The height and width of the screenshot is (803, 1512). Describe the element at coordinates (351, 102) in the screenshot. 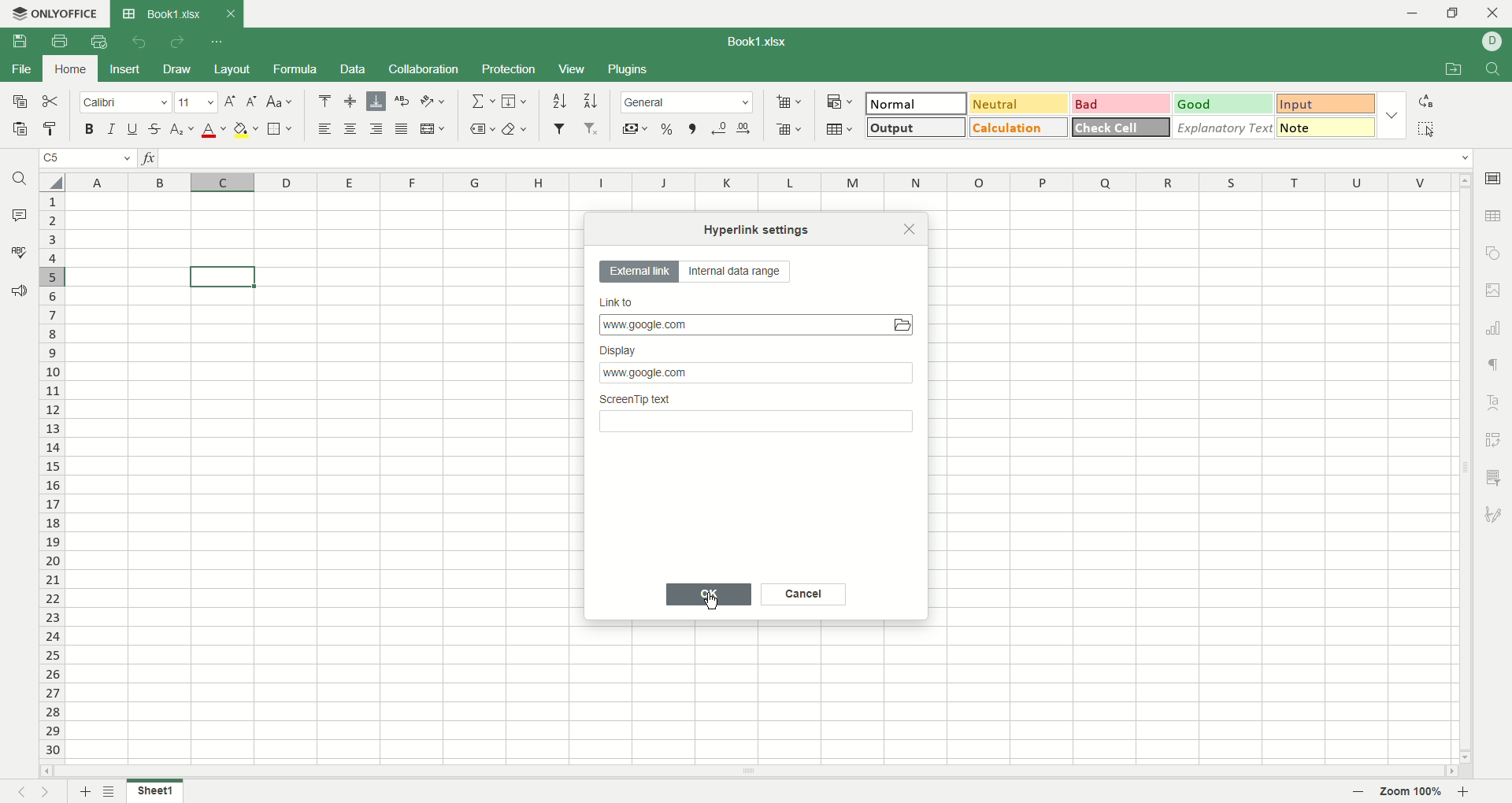

I see `align center` at that location.